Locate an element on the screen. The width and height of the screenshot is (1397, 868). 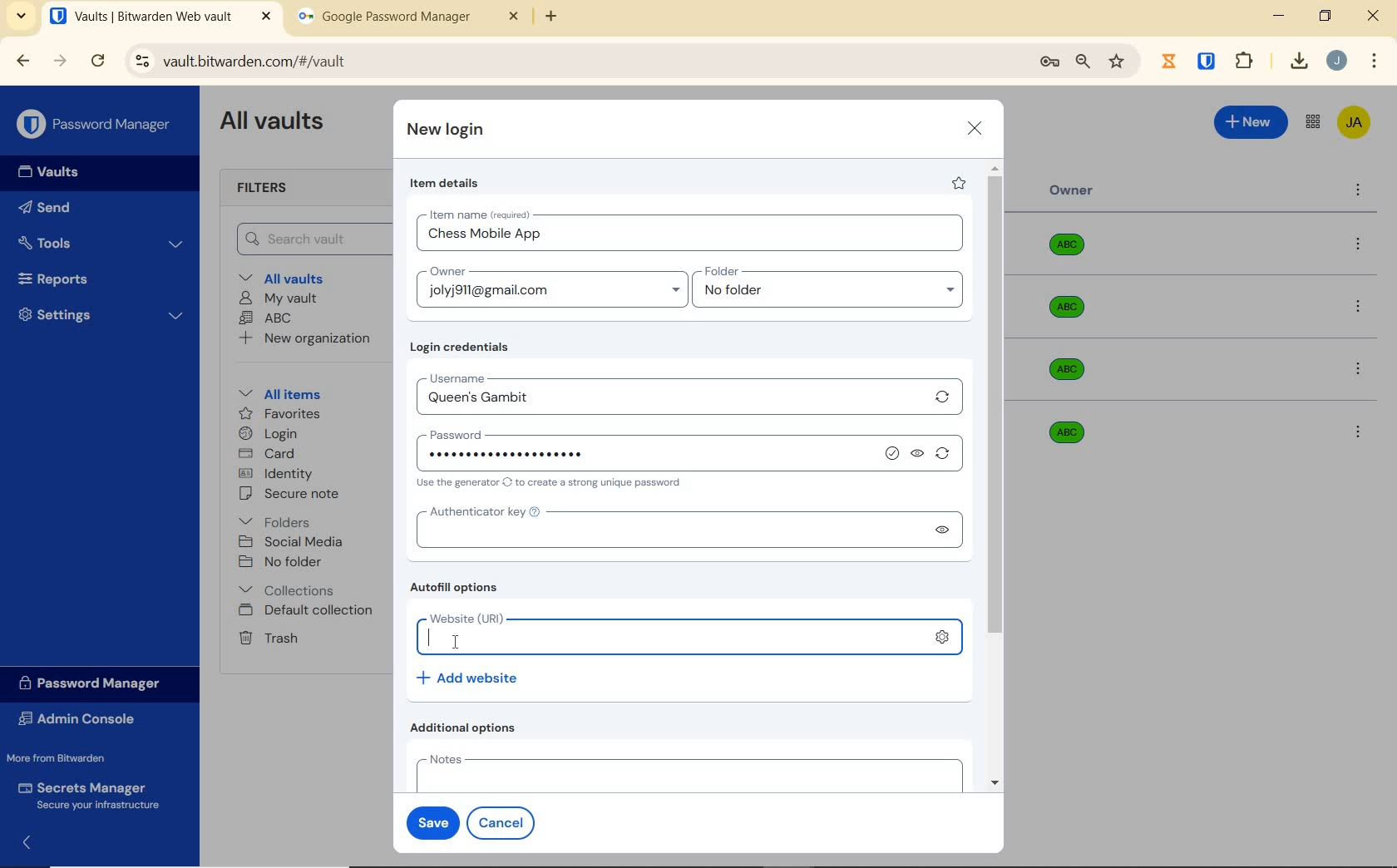
Item name is located at coordinates (481, 215).